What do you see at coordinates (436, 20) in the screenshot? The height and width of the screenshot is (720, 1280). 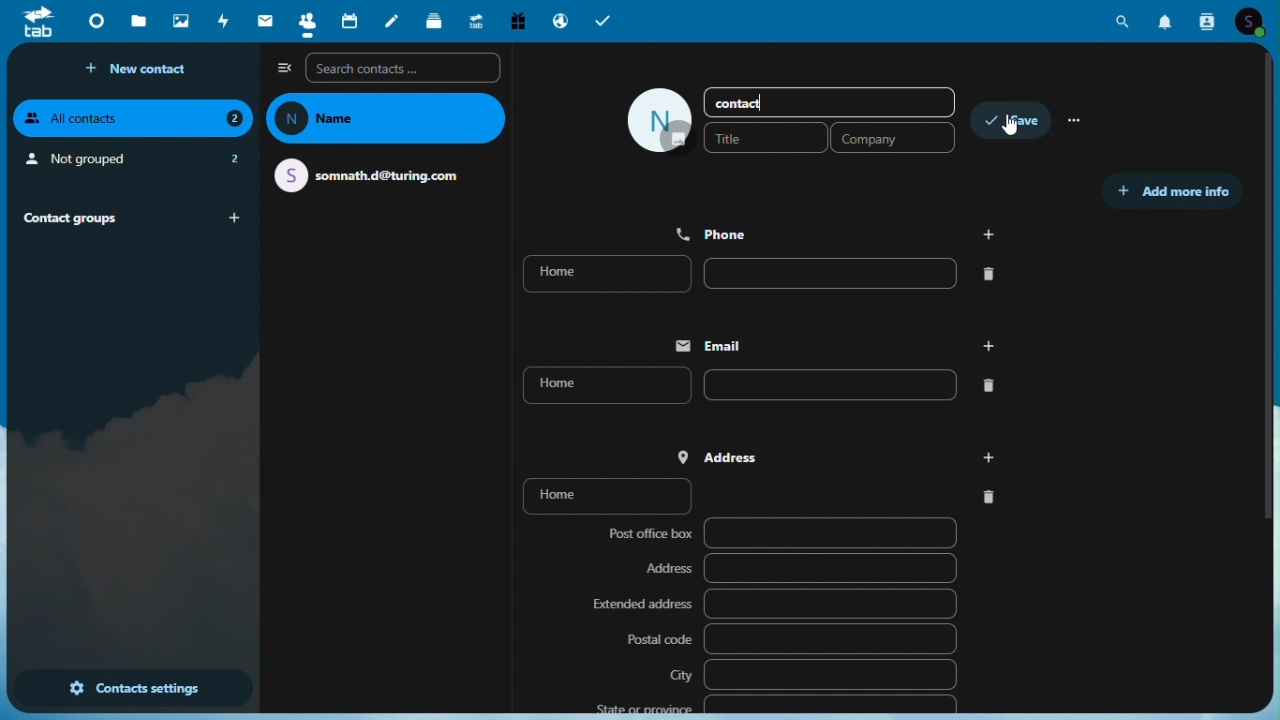 I see `Deck` at bounding box center [436, 20].